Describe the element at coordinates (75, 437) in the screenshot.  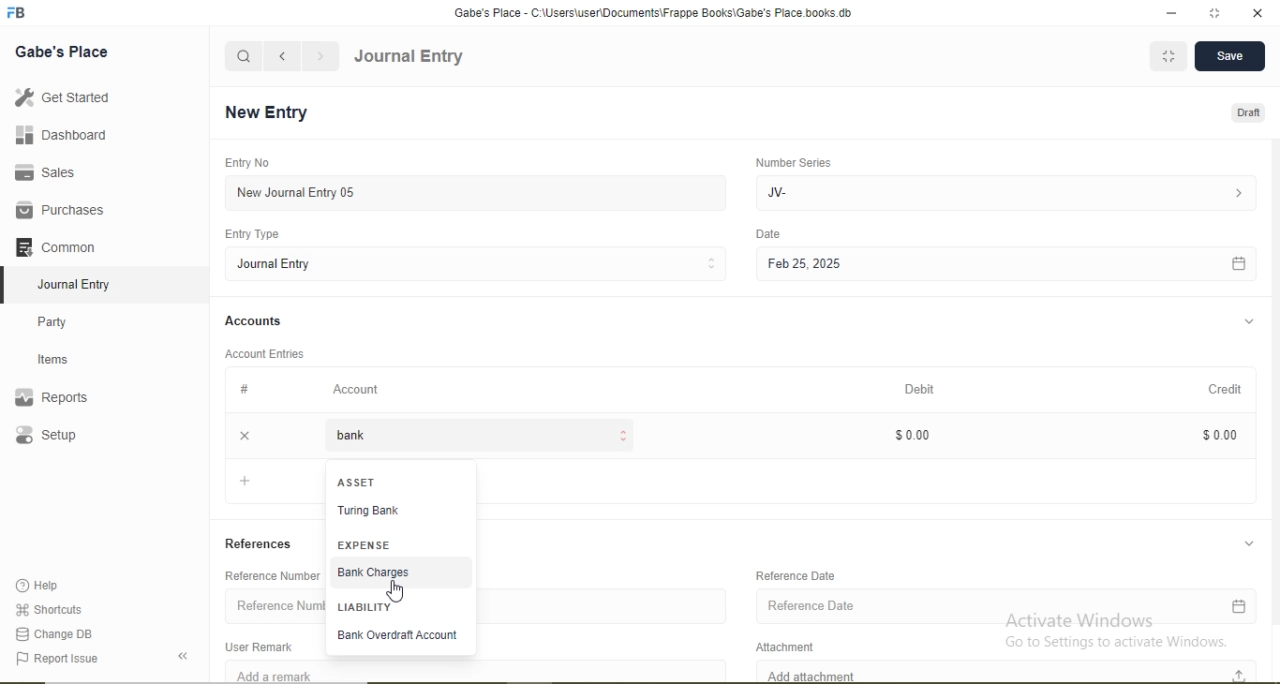
I see `Setup` at that location.